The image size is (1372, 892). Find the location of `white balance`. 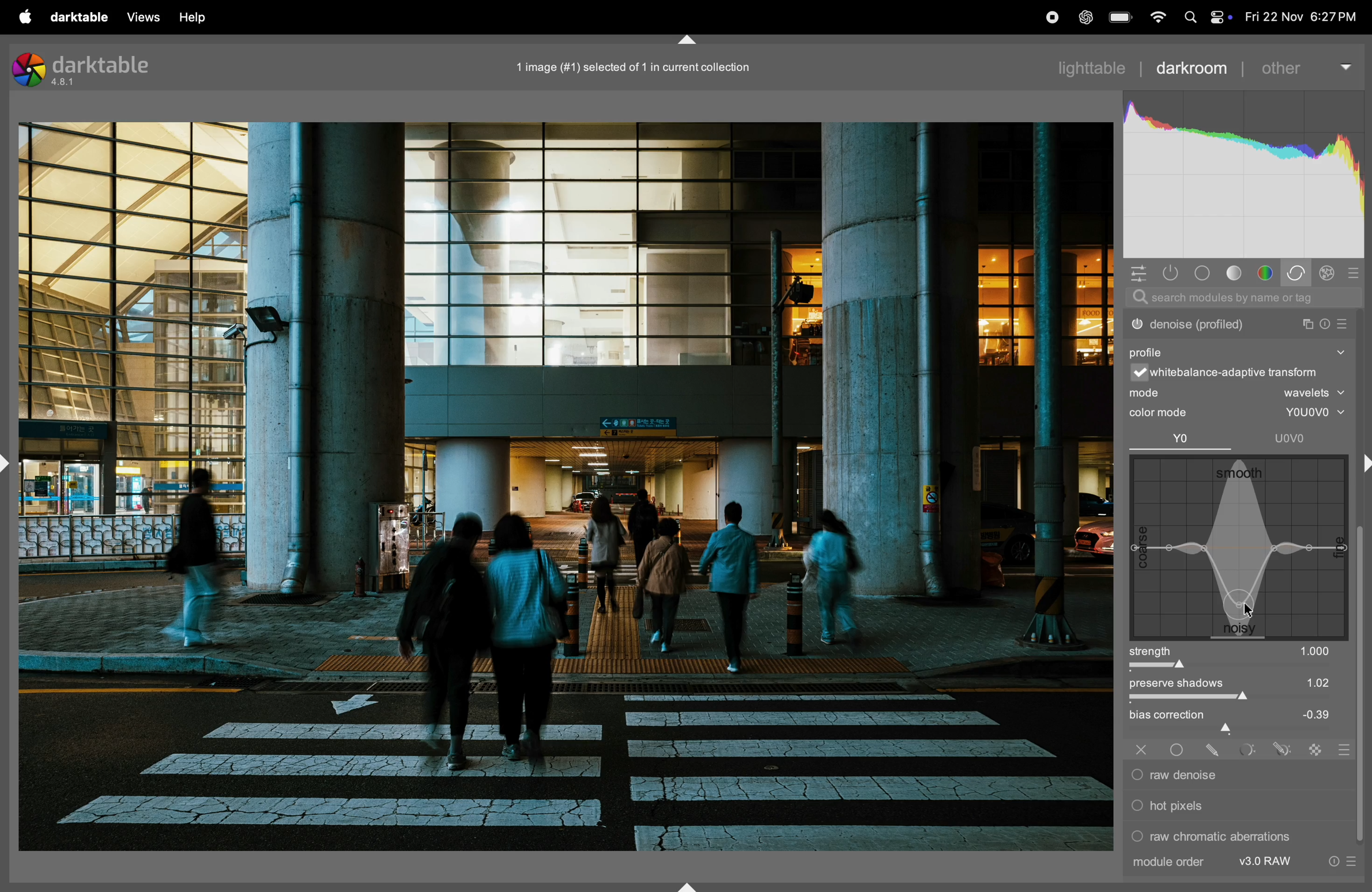

white balance is located at coordinates (1226, 373).